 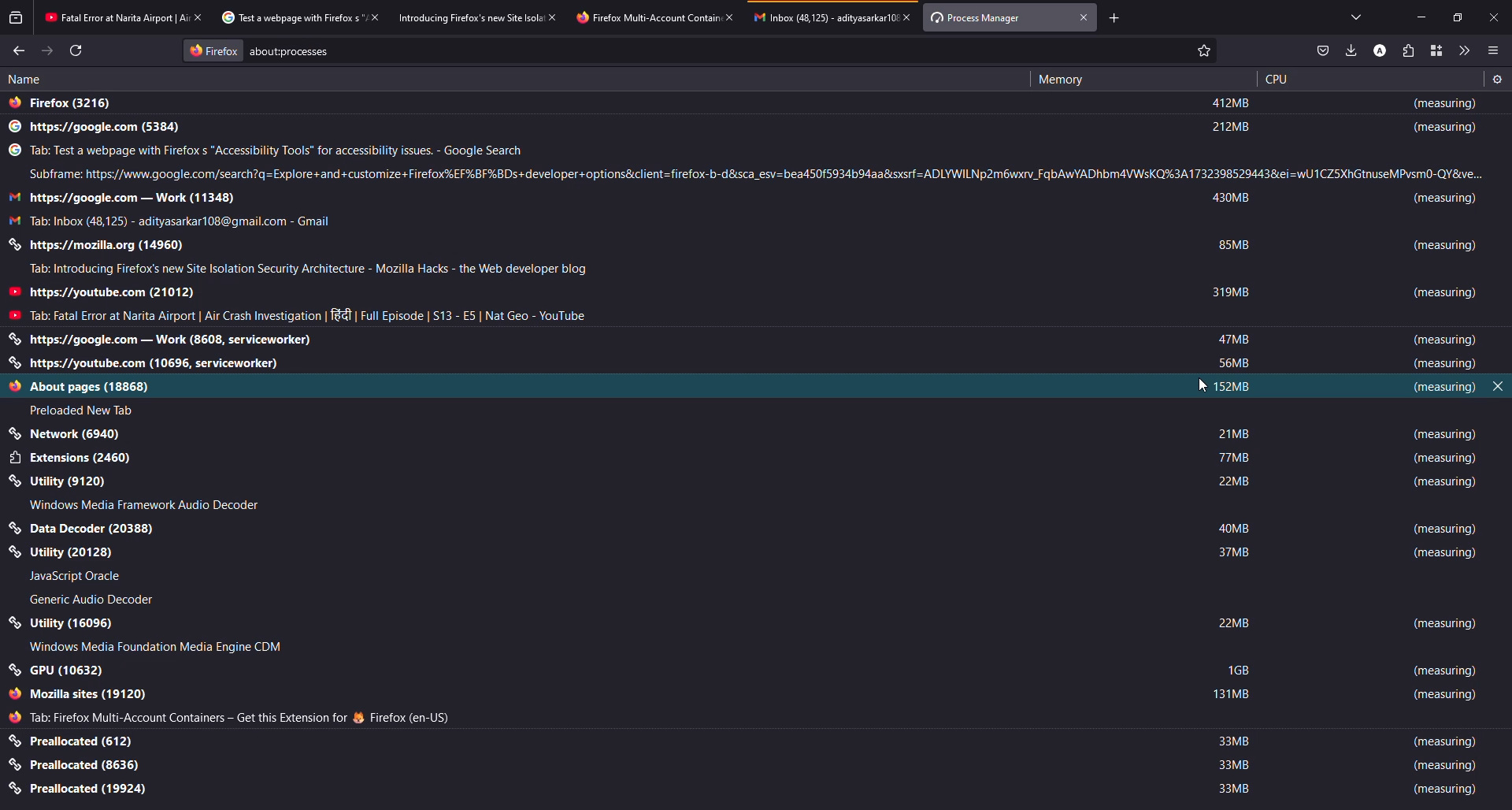 What do you see at coordinates (1440, 363) in the screenshot?
I see `measuring` at bounding box center [1440, 363].